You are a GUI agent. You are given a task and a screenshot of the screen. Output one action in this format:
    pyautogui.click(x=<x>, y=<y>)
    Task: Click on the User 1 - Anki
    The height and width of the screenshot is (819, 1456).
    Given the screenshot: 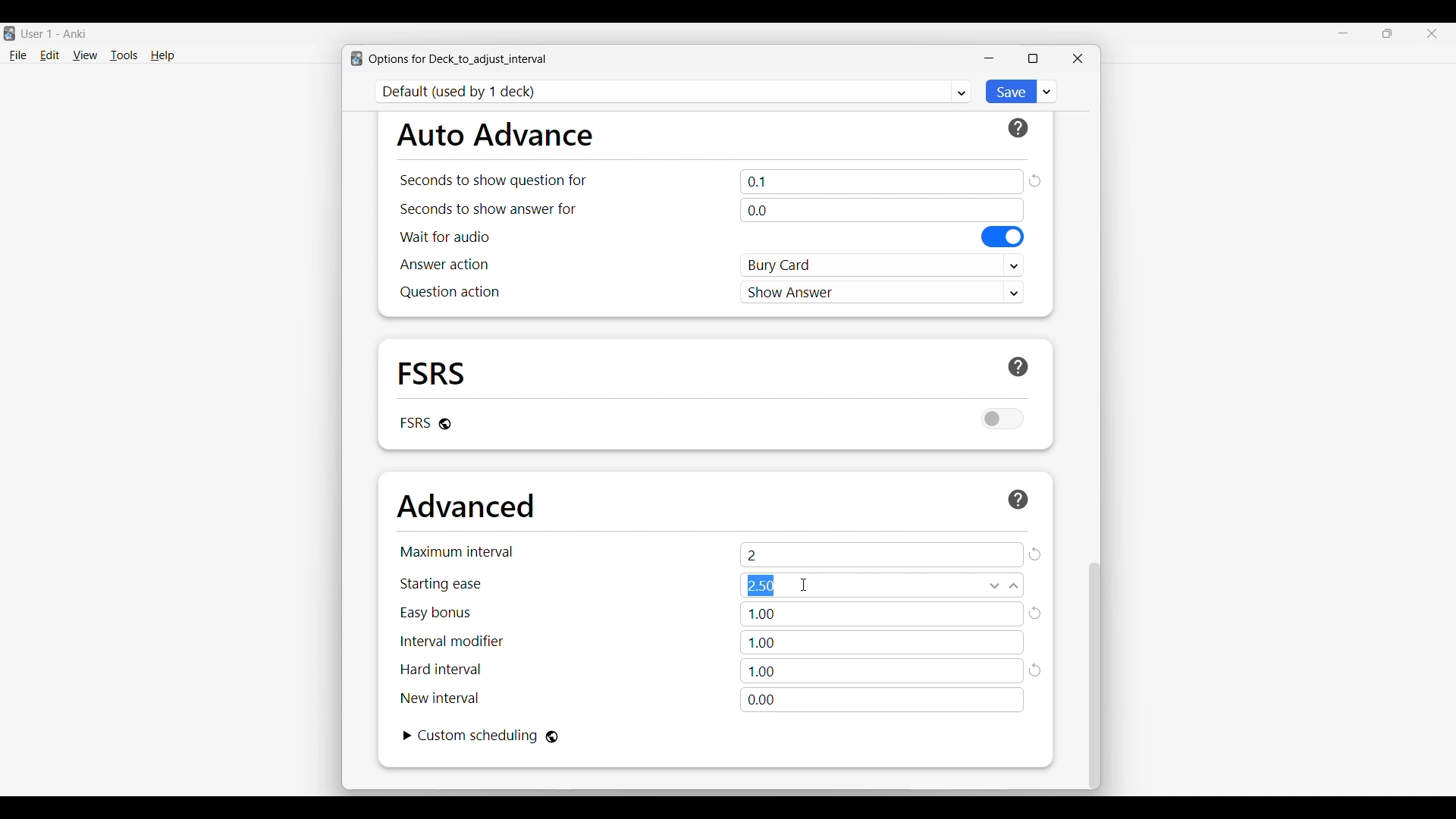 What is the action you would take?
    pyautogui.click(x=55, y=33)
    